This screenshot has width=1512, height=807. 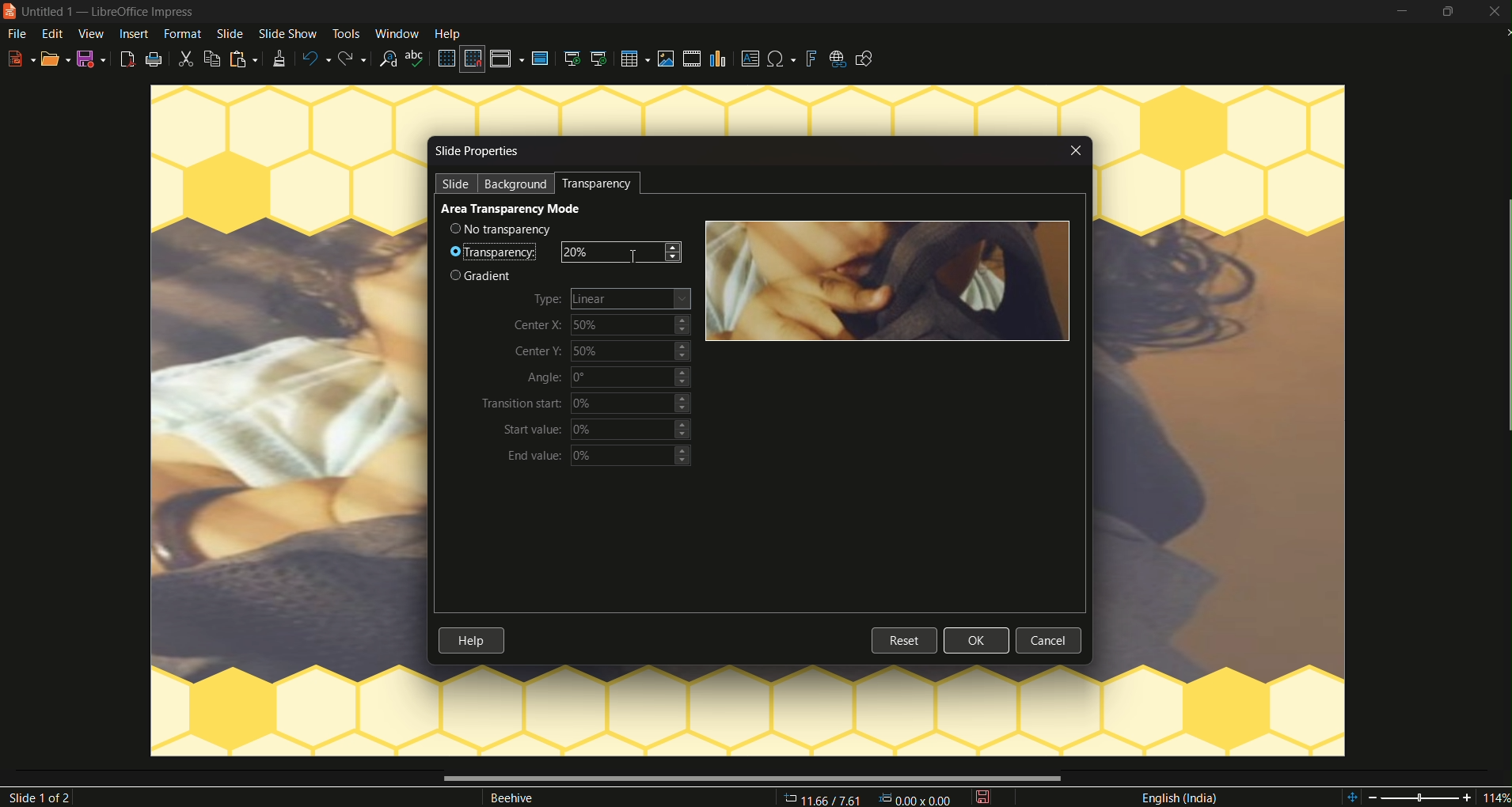 What do you see at coordinates (633, 403) in the screenshot?
I see `0%` at bounding box center [633, 403].